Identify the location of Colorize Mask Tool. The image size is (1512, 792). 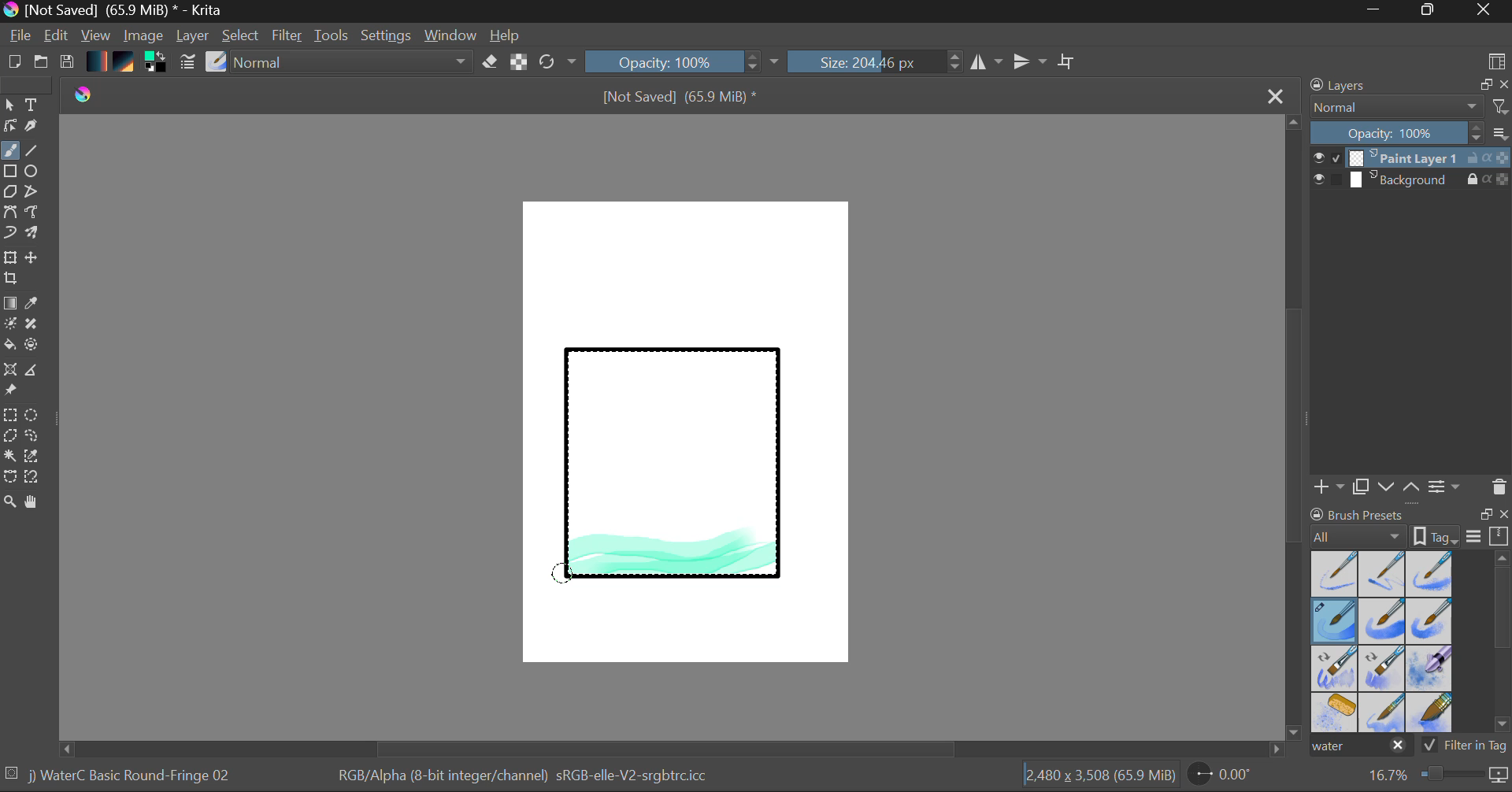
(11, 325).